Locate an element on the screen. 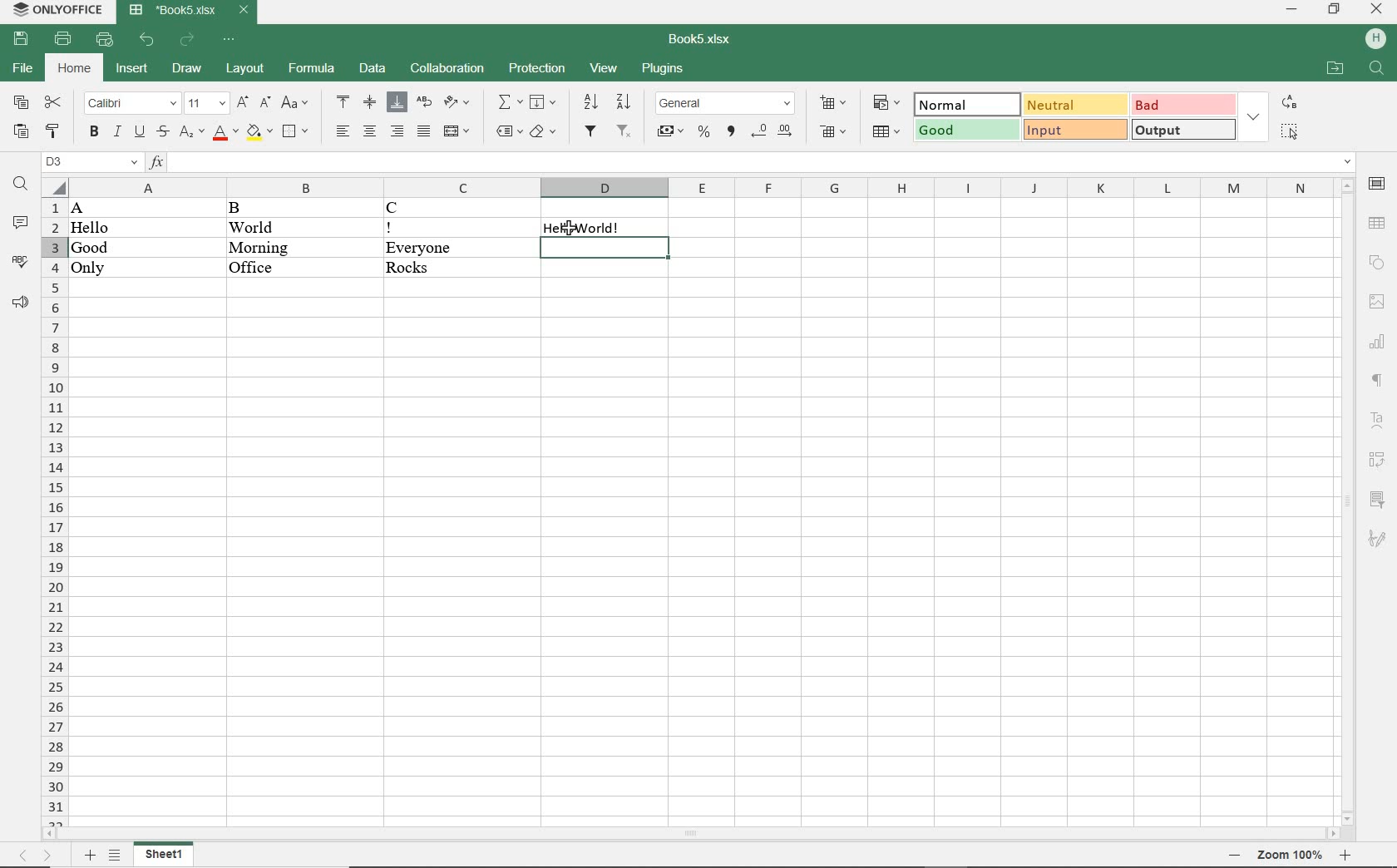 Image resolution: width=1397 pixels, height=868 pixels. ALIGN CENTER is located at coordinates (370, 101).